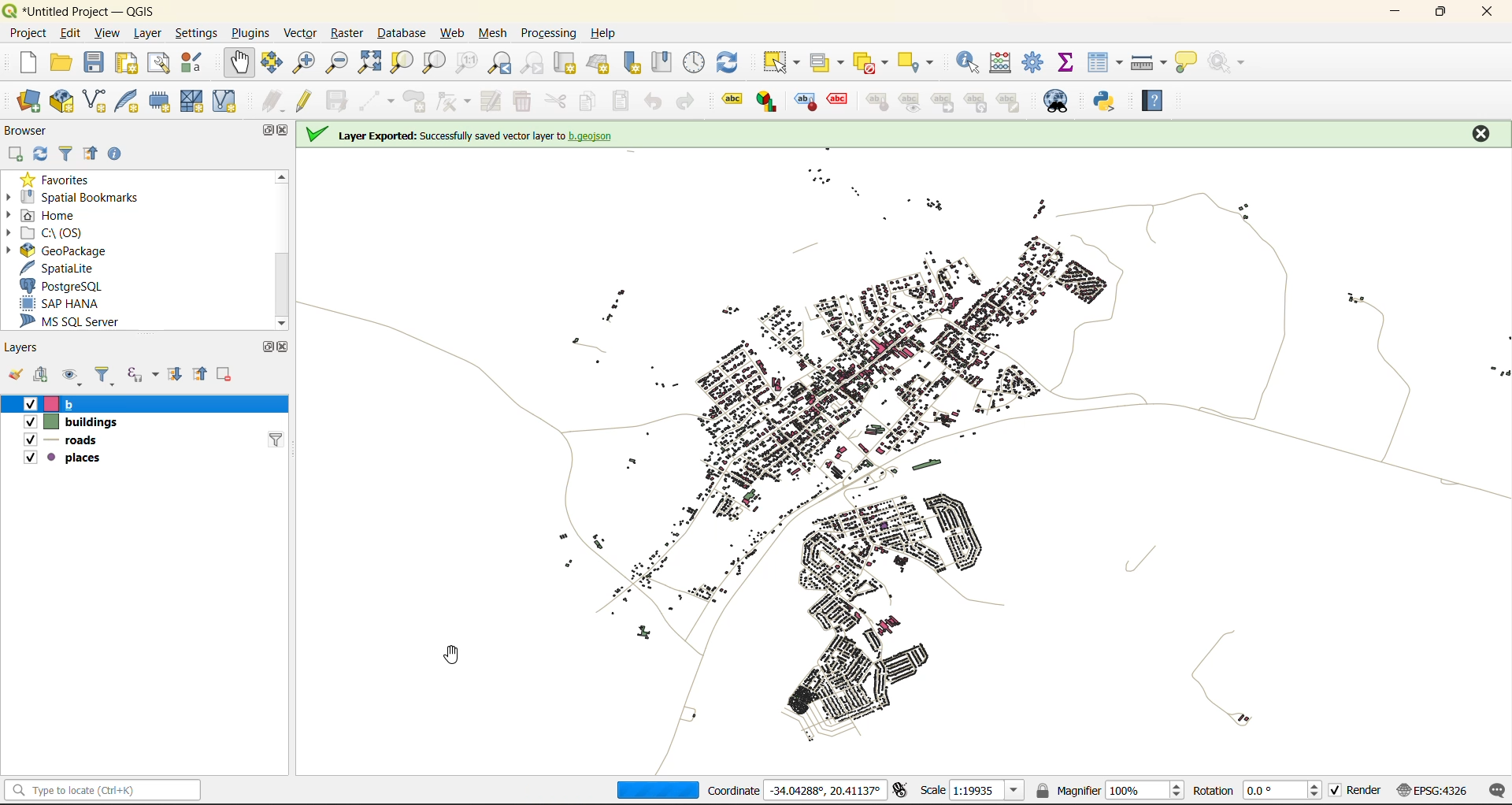 The image size is (1512, 805). I want to click on spatial bookmarks, so click(81, 198).